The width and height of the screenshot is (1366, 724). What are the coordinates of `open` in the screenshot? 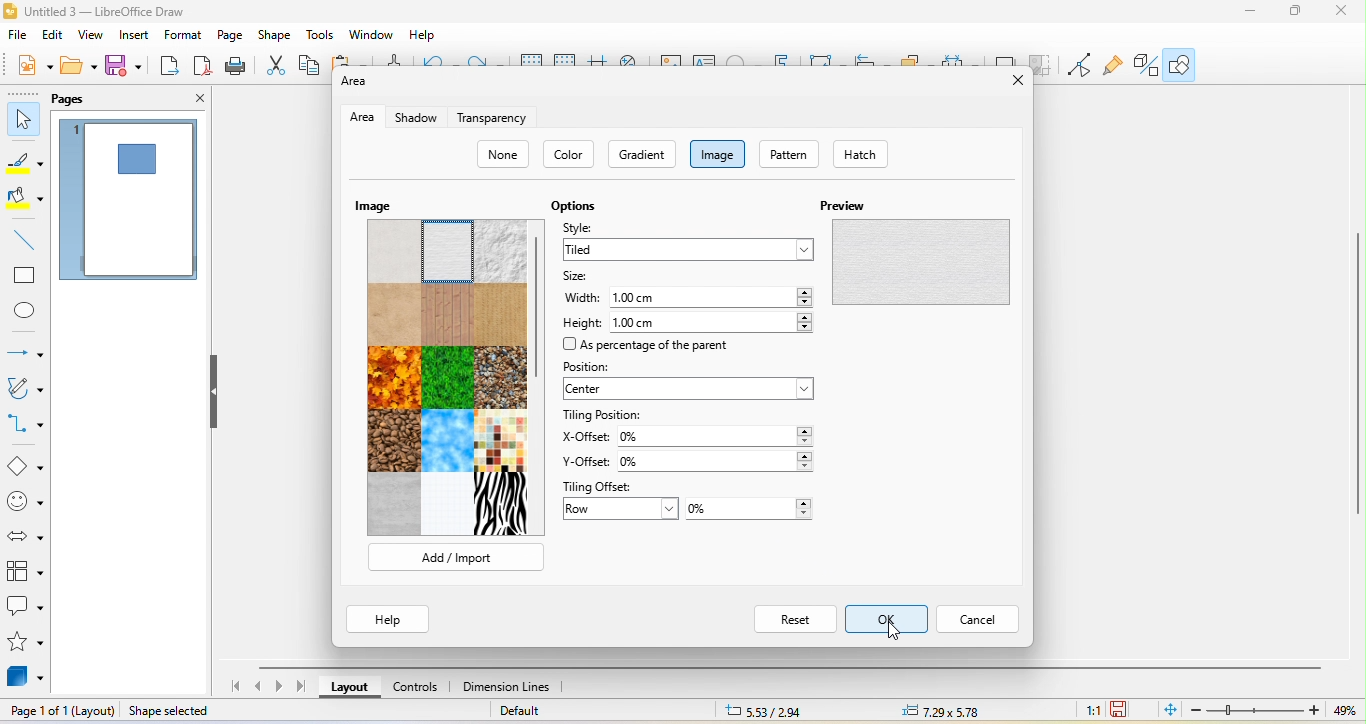 It's located at (80, 69).